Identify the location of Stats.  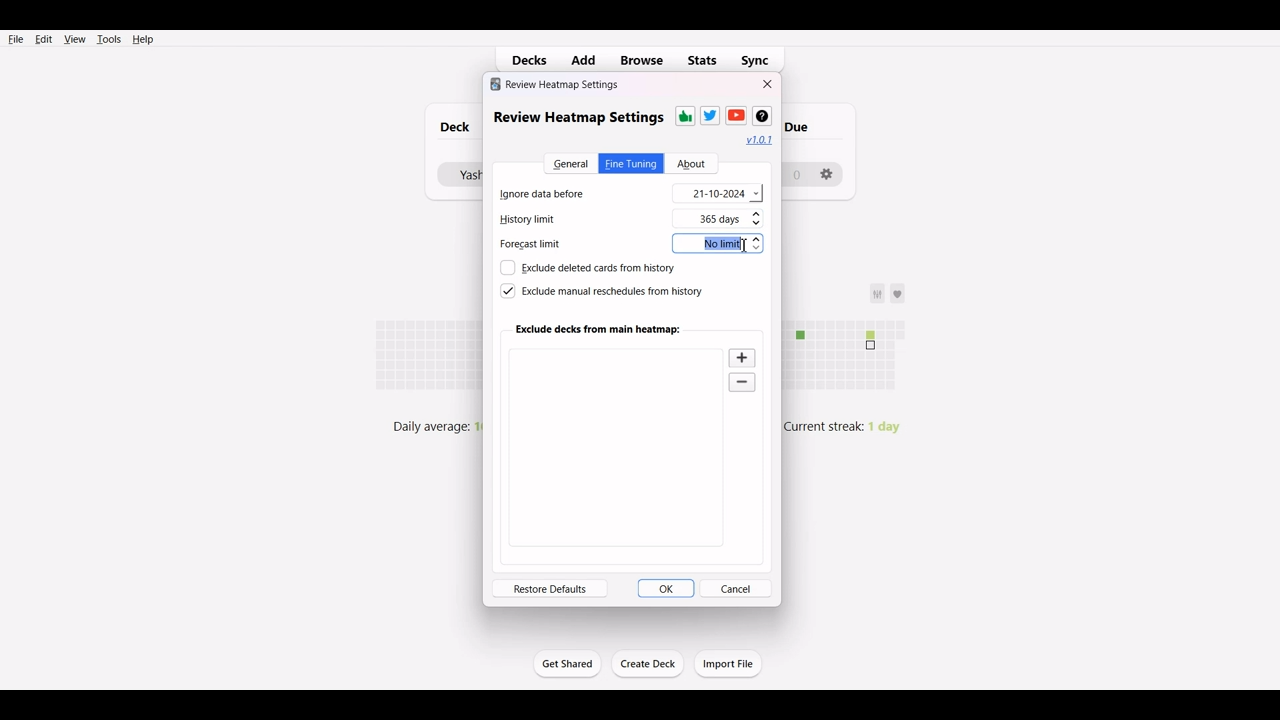
(703, 60).